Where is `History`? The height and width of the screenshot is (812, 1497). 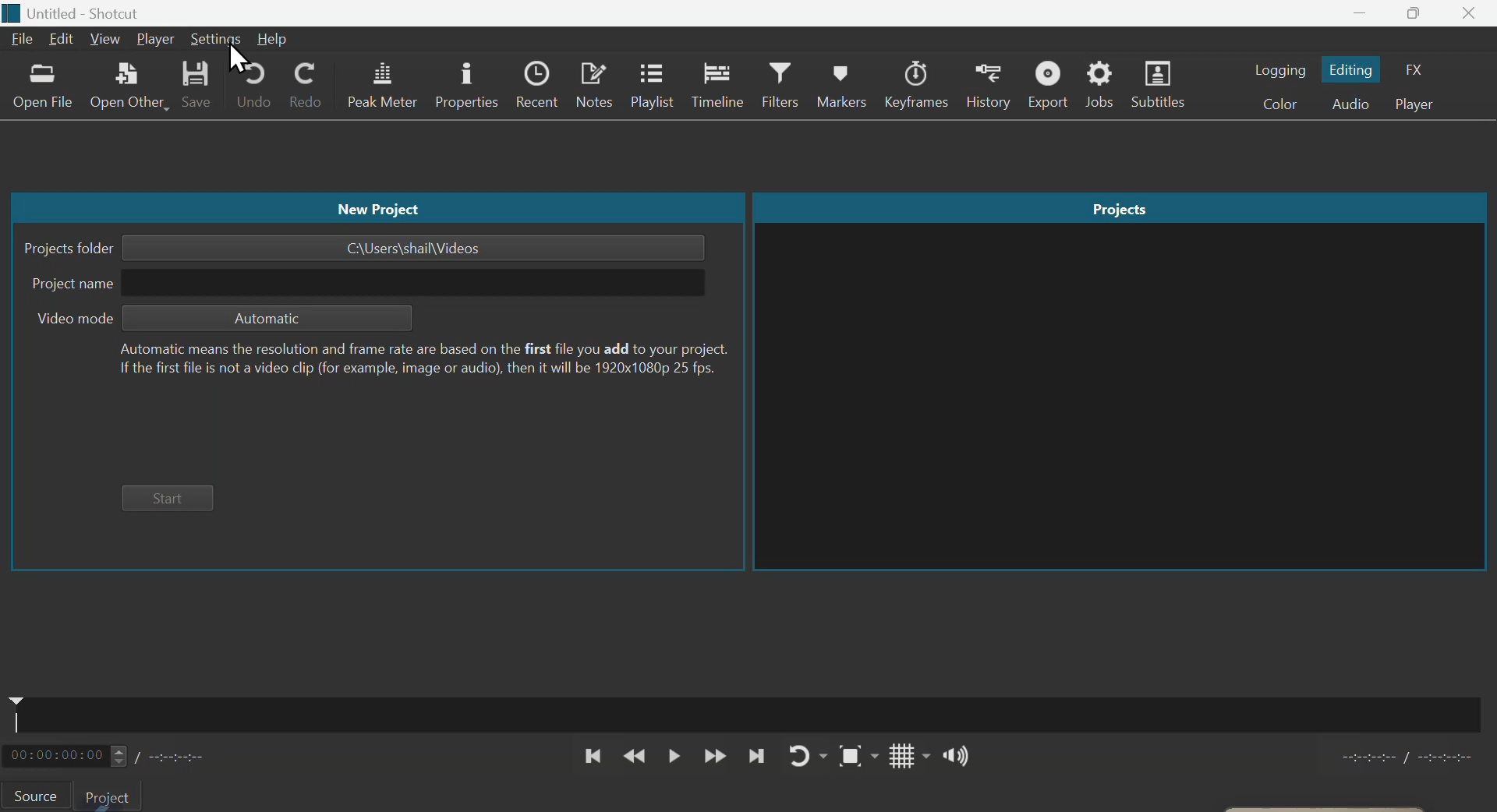
History is located at coordinates (989, 85).